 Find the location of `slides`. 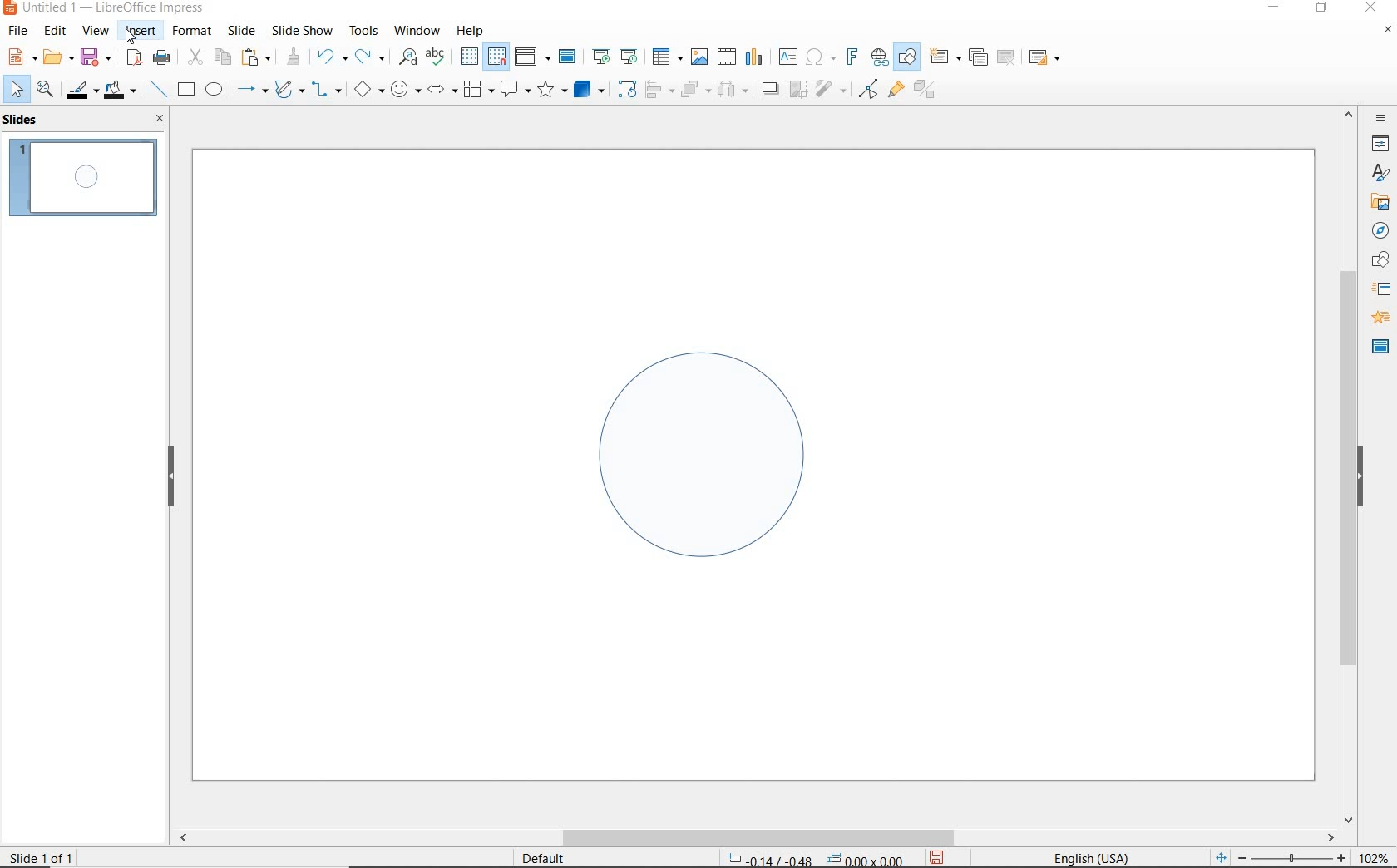

slides is located at coordinates (24, 120).